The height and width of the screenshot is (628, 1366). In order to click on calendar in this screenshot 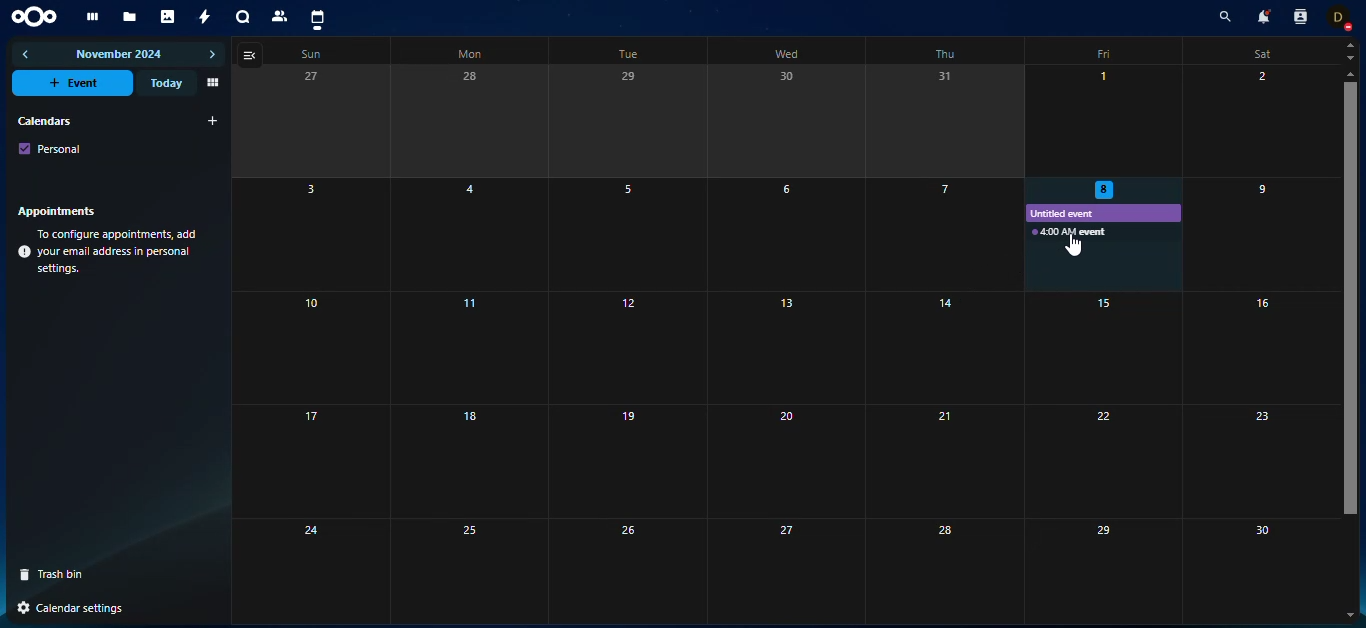, I will do `click(637, 301)`.